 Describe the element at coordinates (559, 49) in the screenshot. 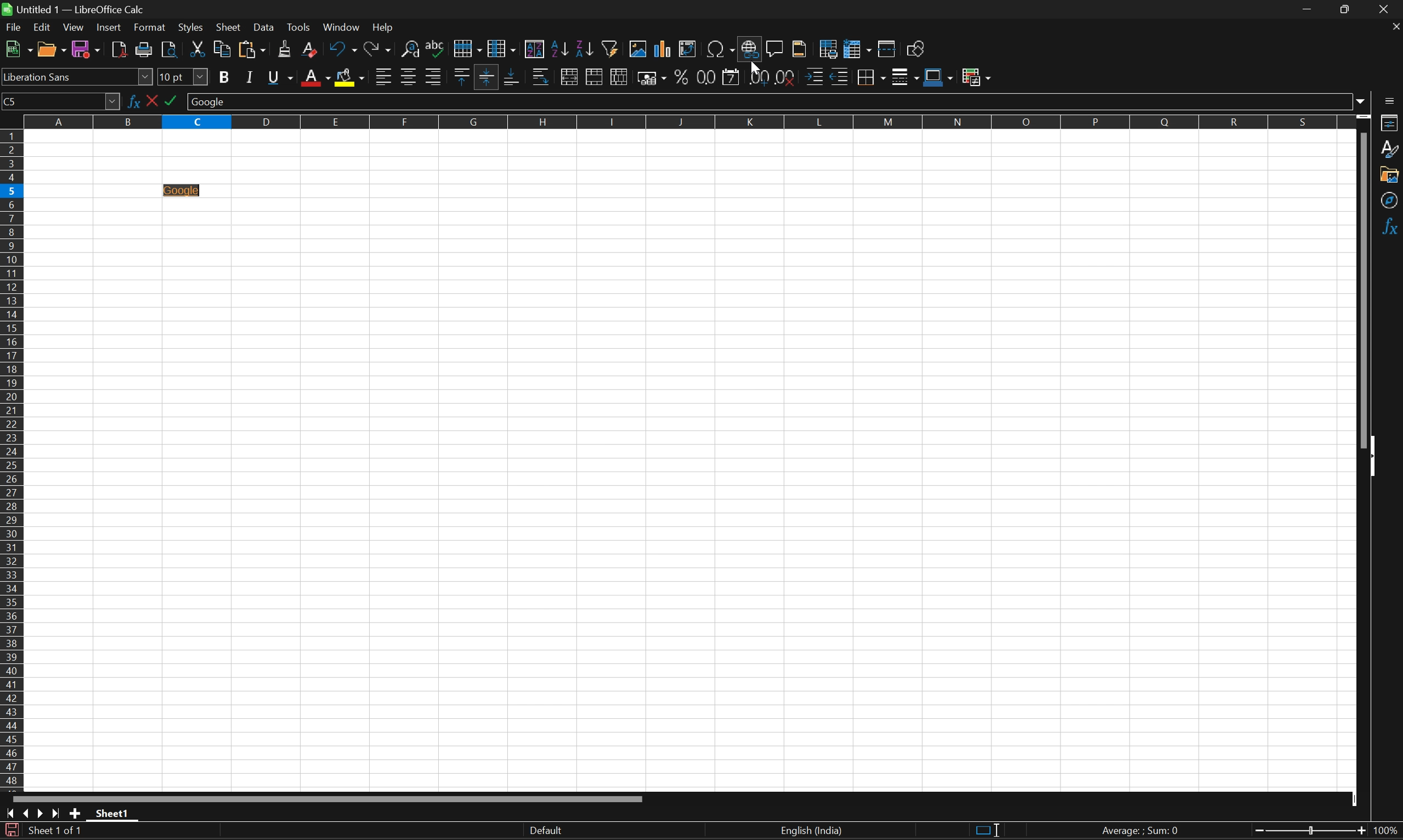

I see `Sort ascending` at that location.